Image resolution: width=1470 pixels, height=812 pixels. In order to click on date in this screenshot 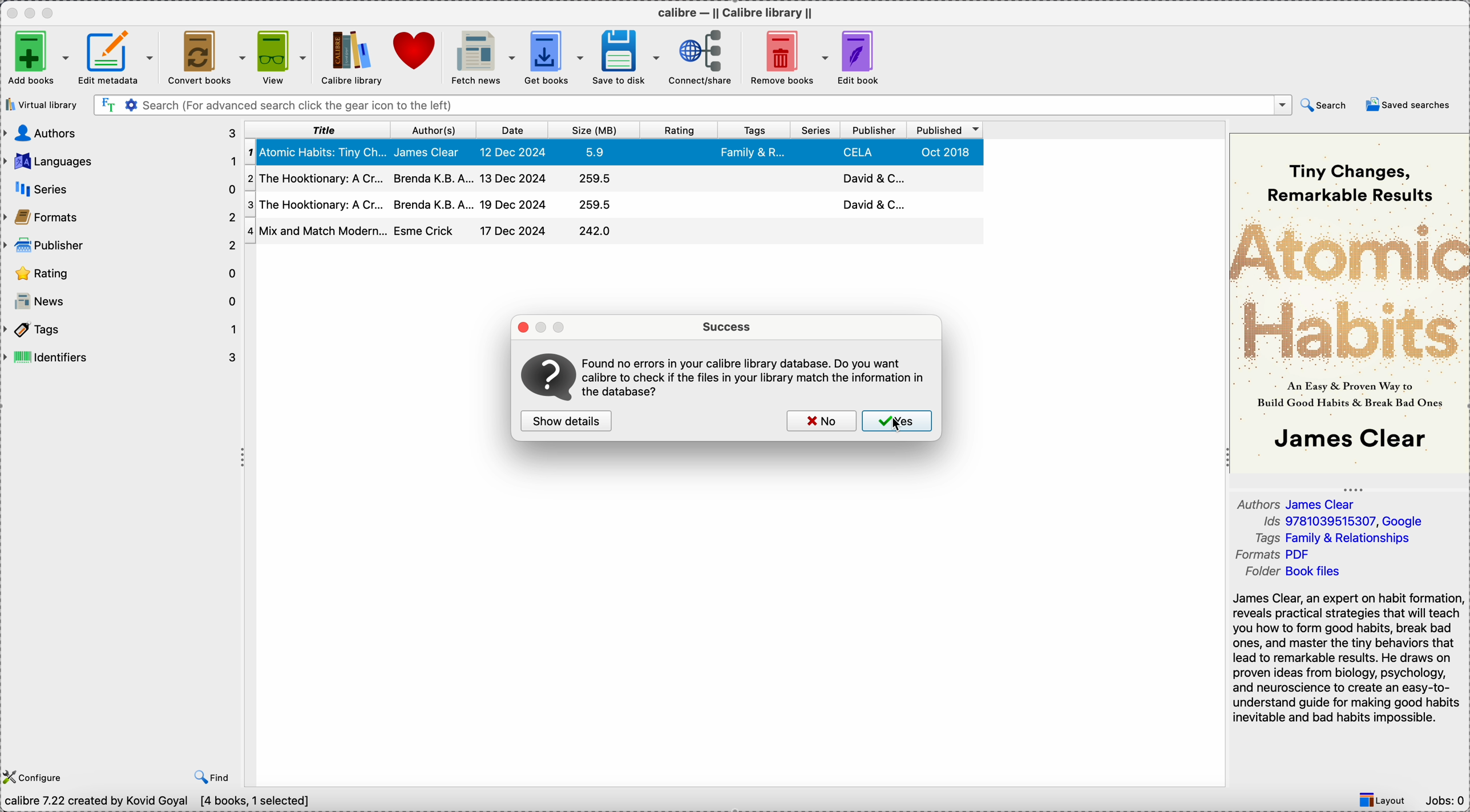, I will do `click(510, 130)`.